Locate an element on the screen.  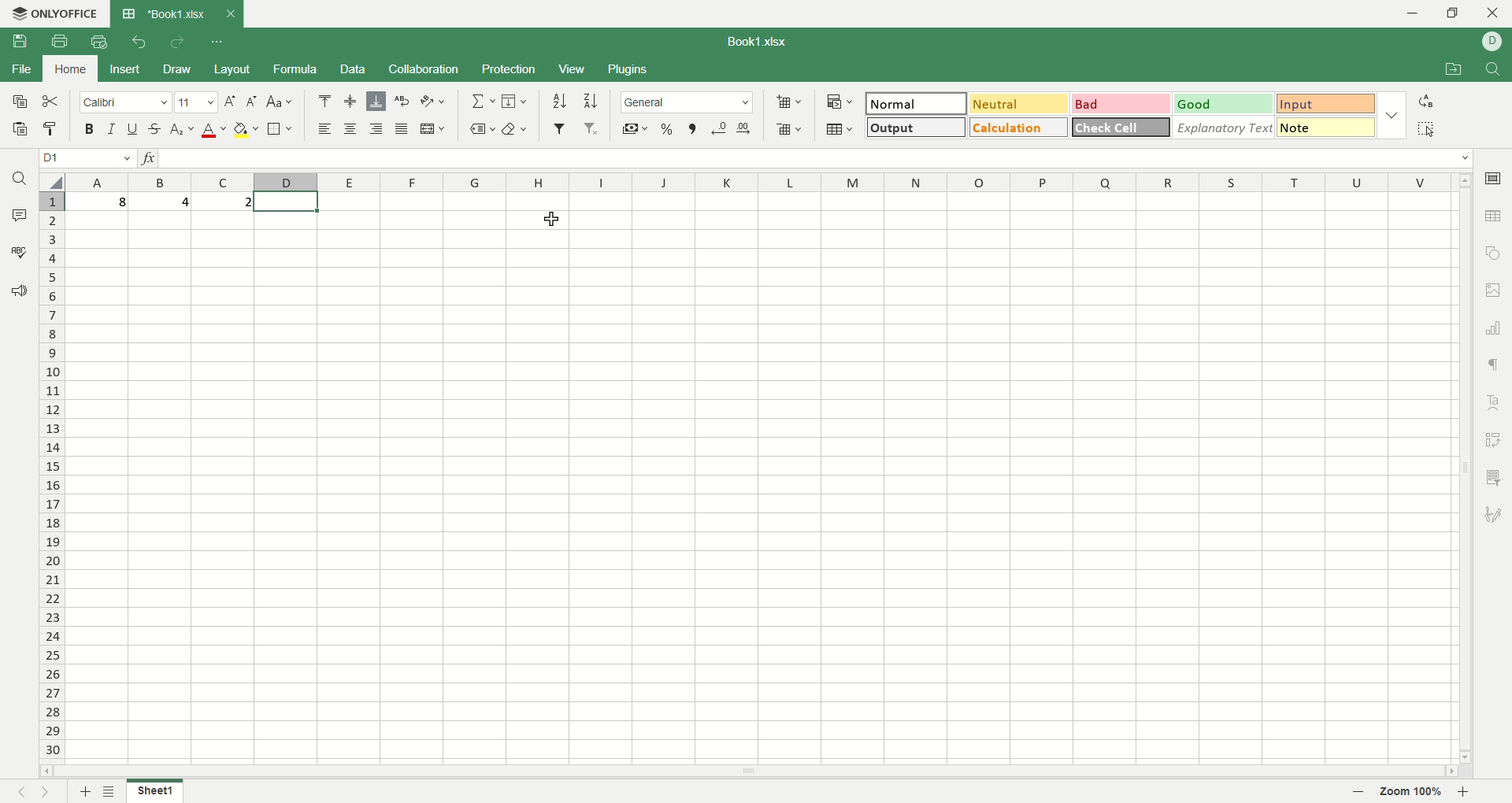
zoom in is located at coordinates (1466, 792).